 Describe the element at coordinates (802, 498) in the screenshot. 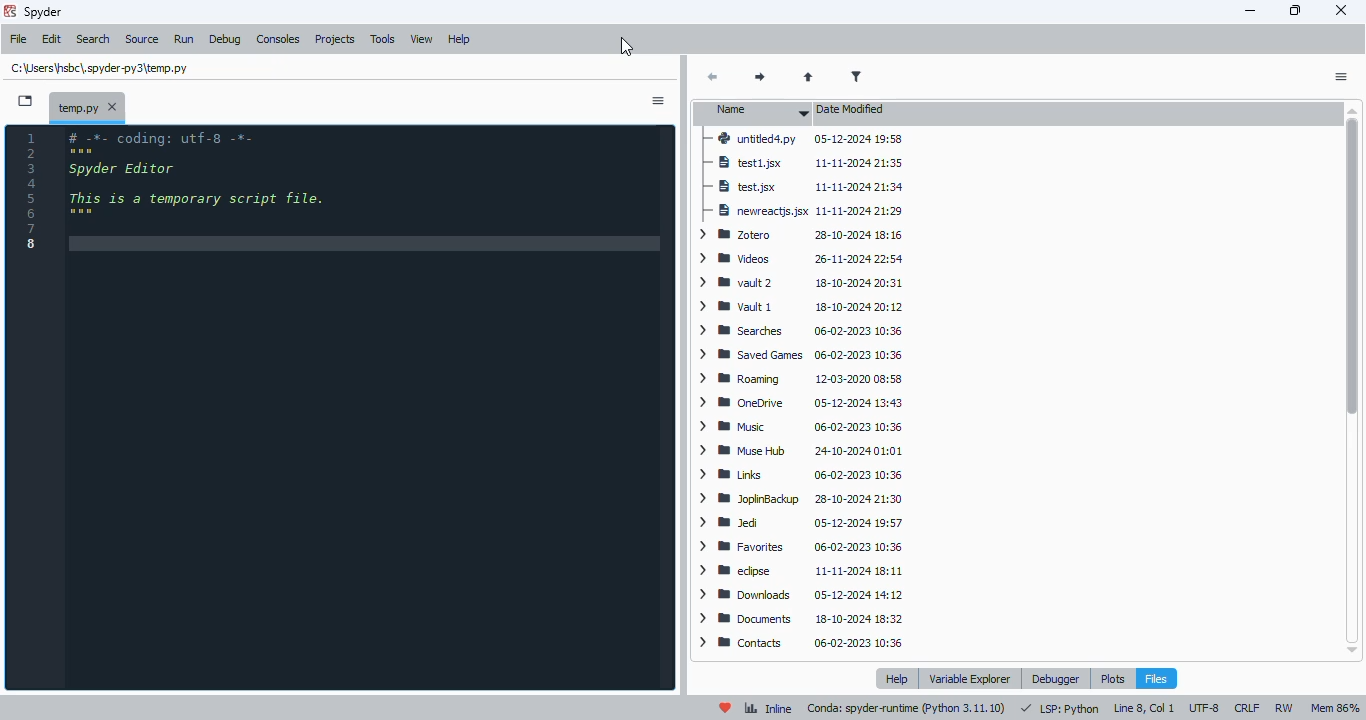

I see `JoplinBackup` at that location.